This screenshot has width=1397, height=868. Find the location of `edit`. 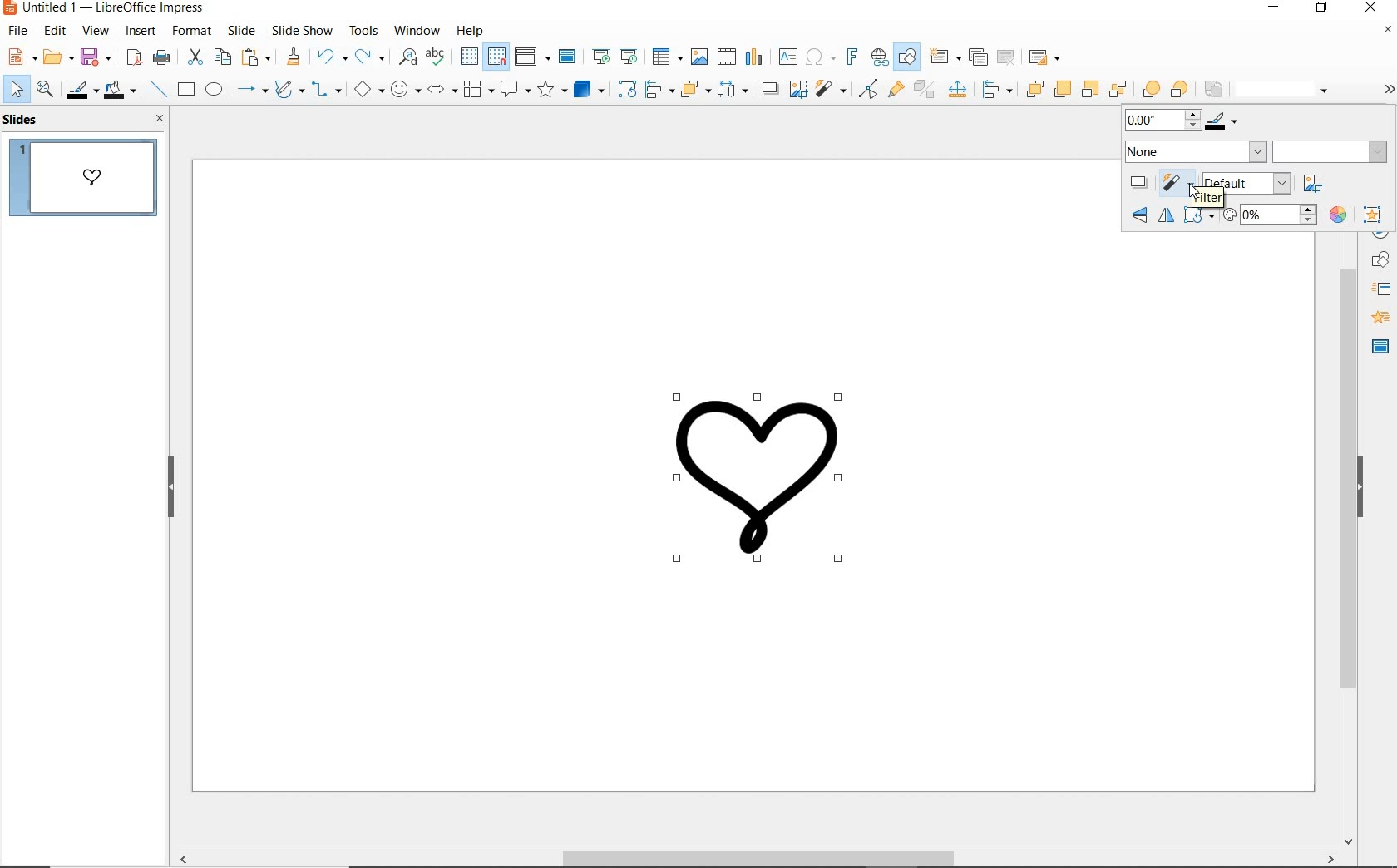

edit is located at coordinates (54, 31).